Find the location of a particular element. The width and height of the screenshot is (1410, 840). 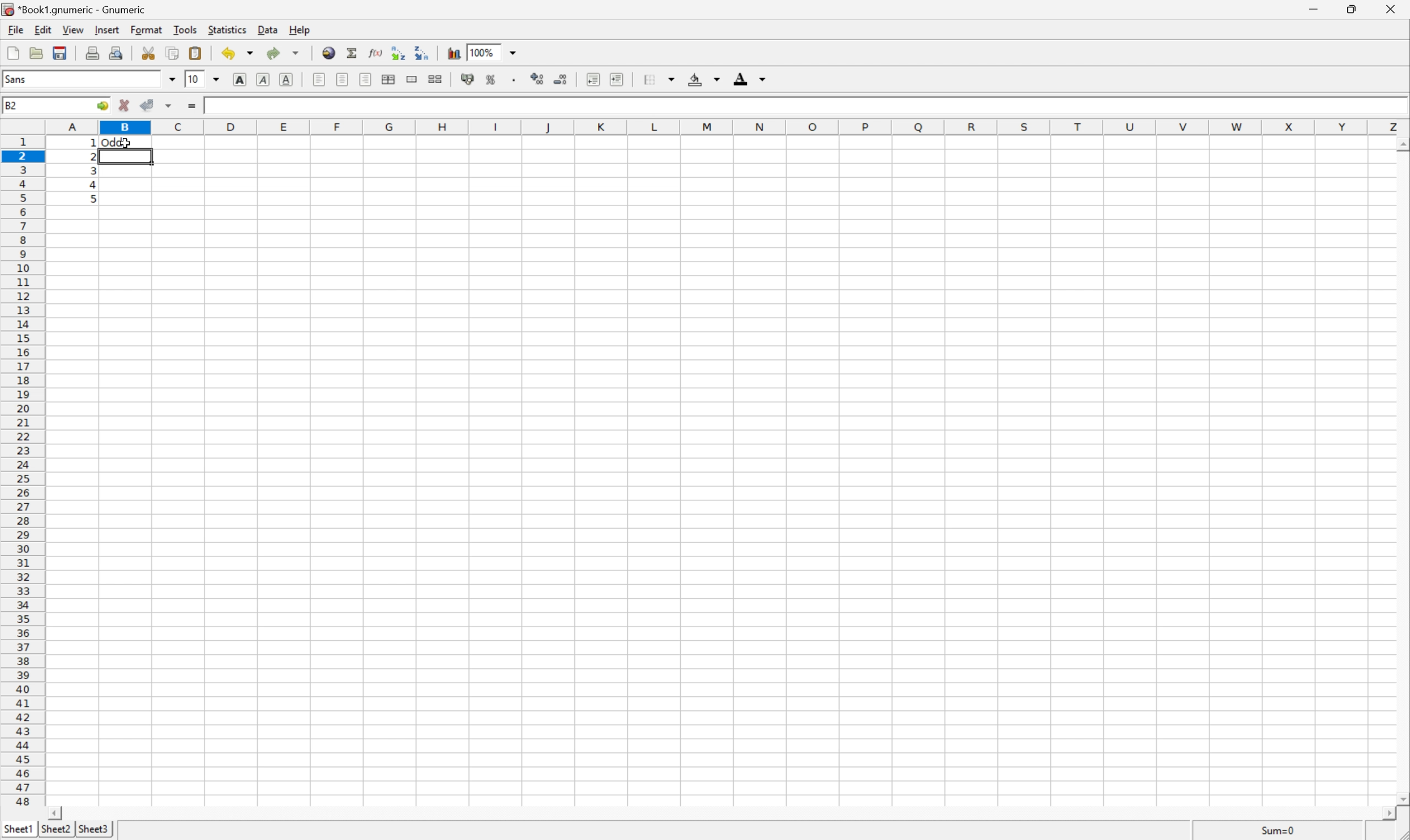

Increase the decimals displayed is located at coordinates (539, 79).